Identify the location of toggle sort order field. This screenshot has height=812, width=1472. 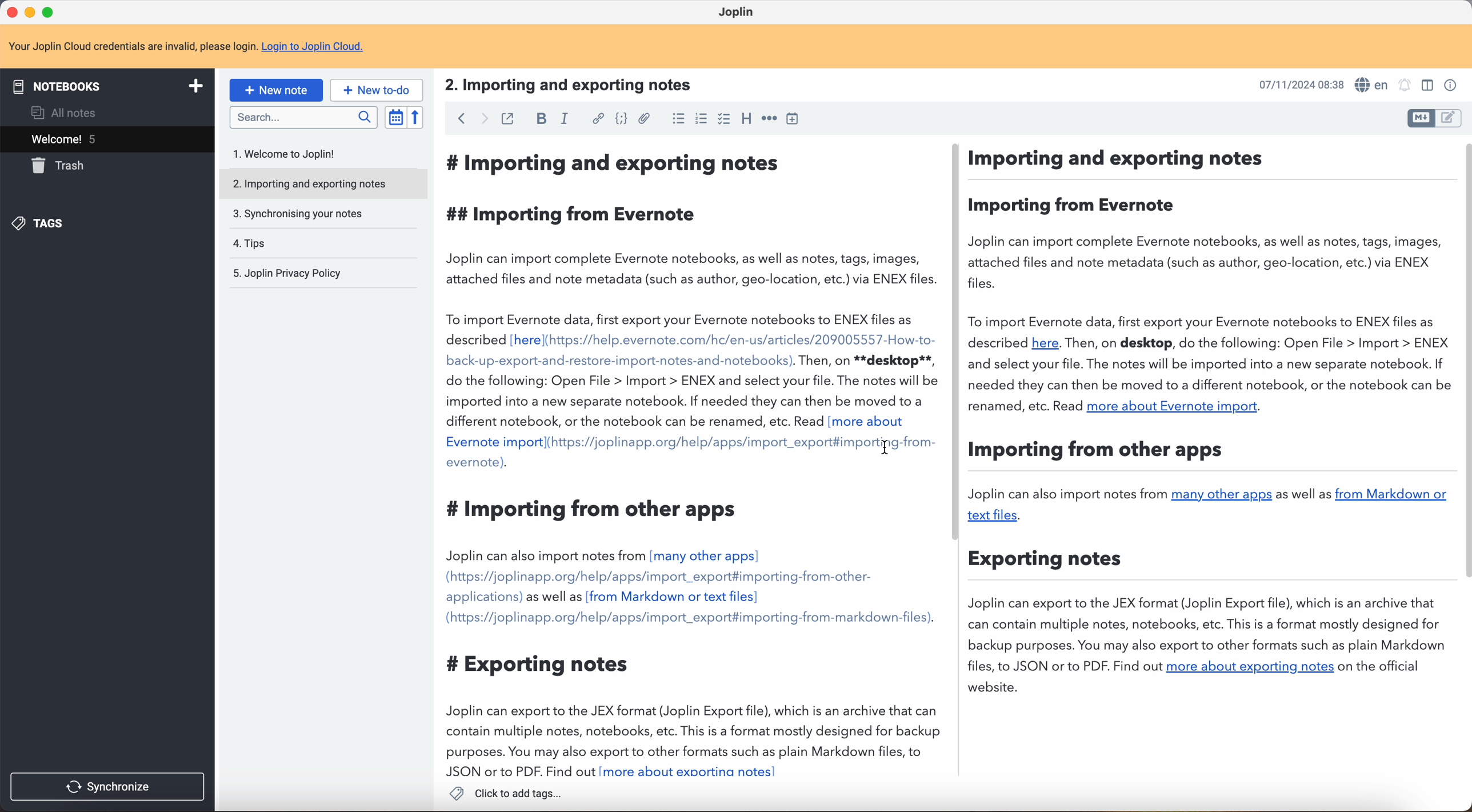
(394, 117).